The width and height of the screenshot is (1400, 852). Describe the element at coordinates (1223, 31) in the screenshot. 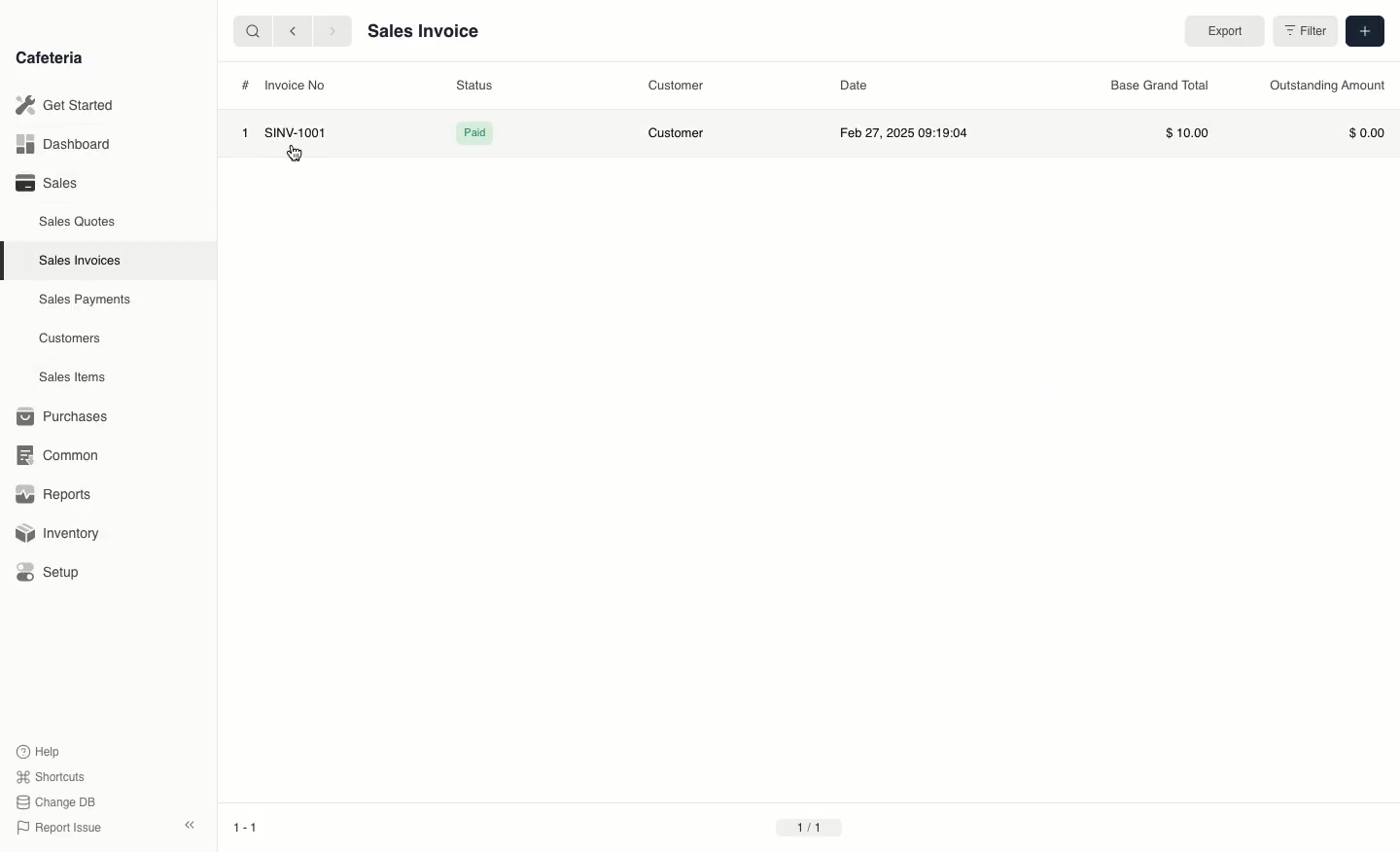

I see `Export` at that location.